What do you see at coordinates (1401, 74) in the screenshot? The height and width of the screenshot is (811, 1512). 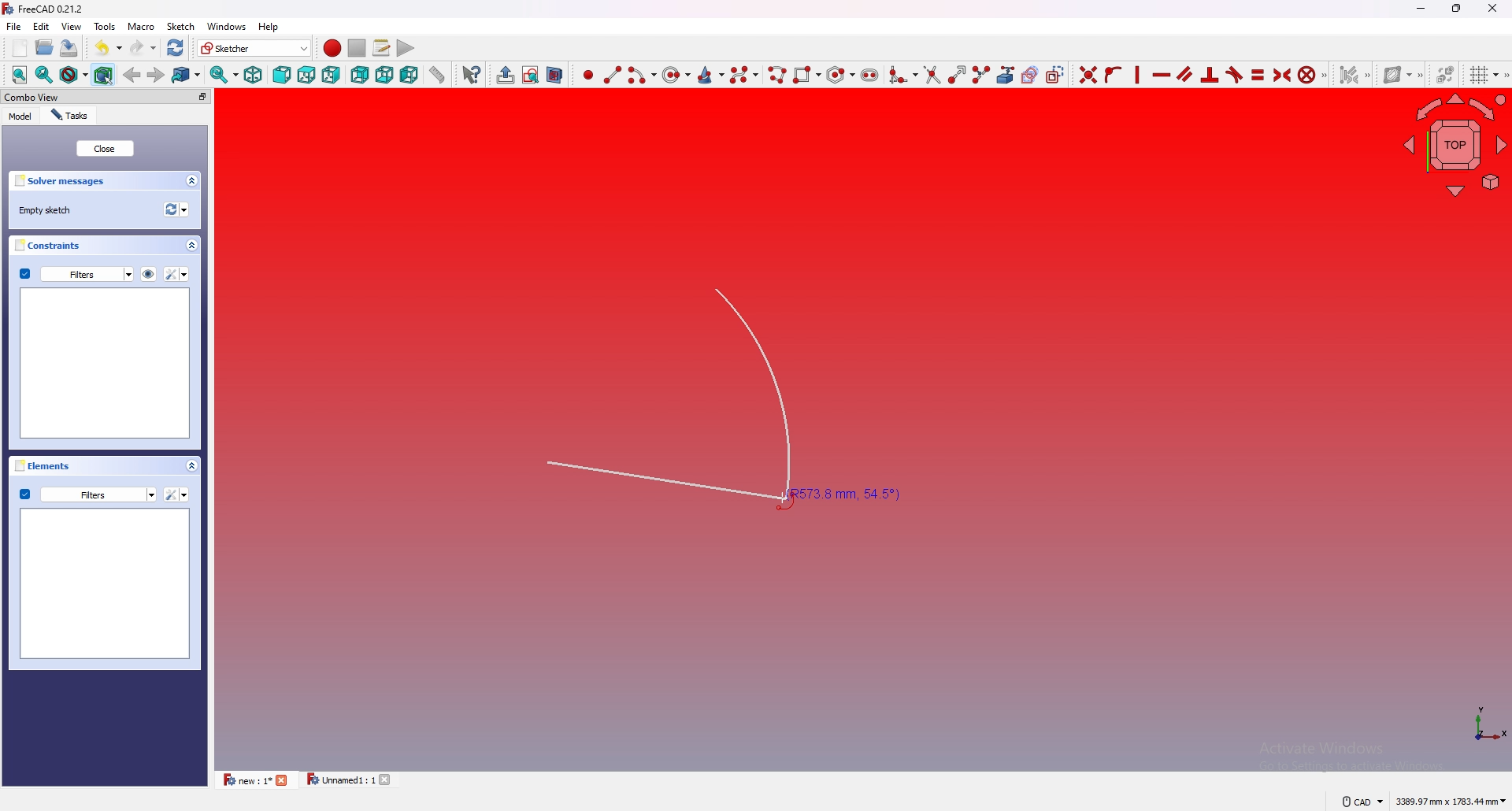 I see `show B-Spline information layer` at bounding box center [1401, 74].